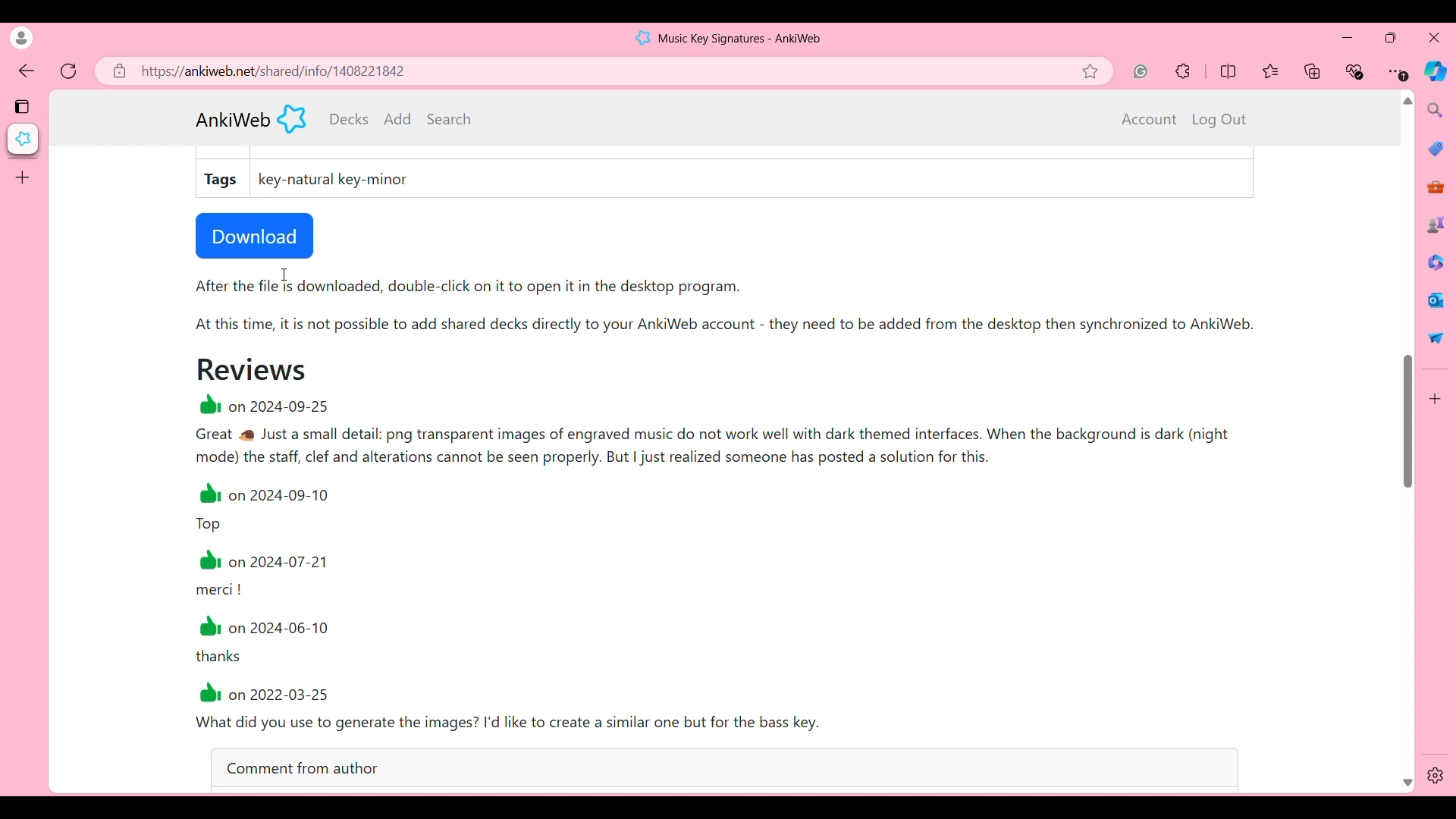 This screenshot has height=819, width=1456. Describe the element at coordinates (1272, 71) in the screenshot. I see `Favorites` at that location.